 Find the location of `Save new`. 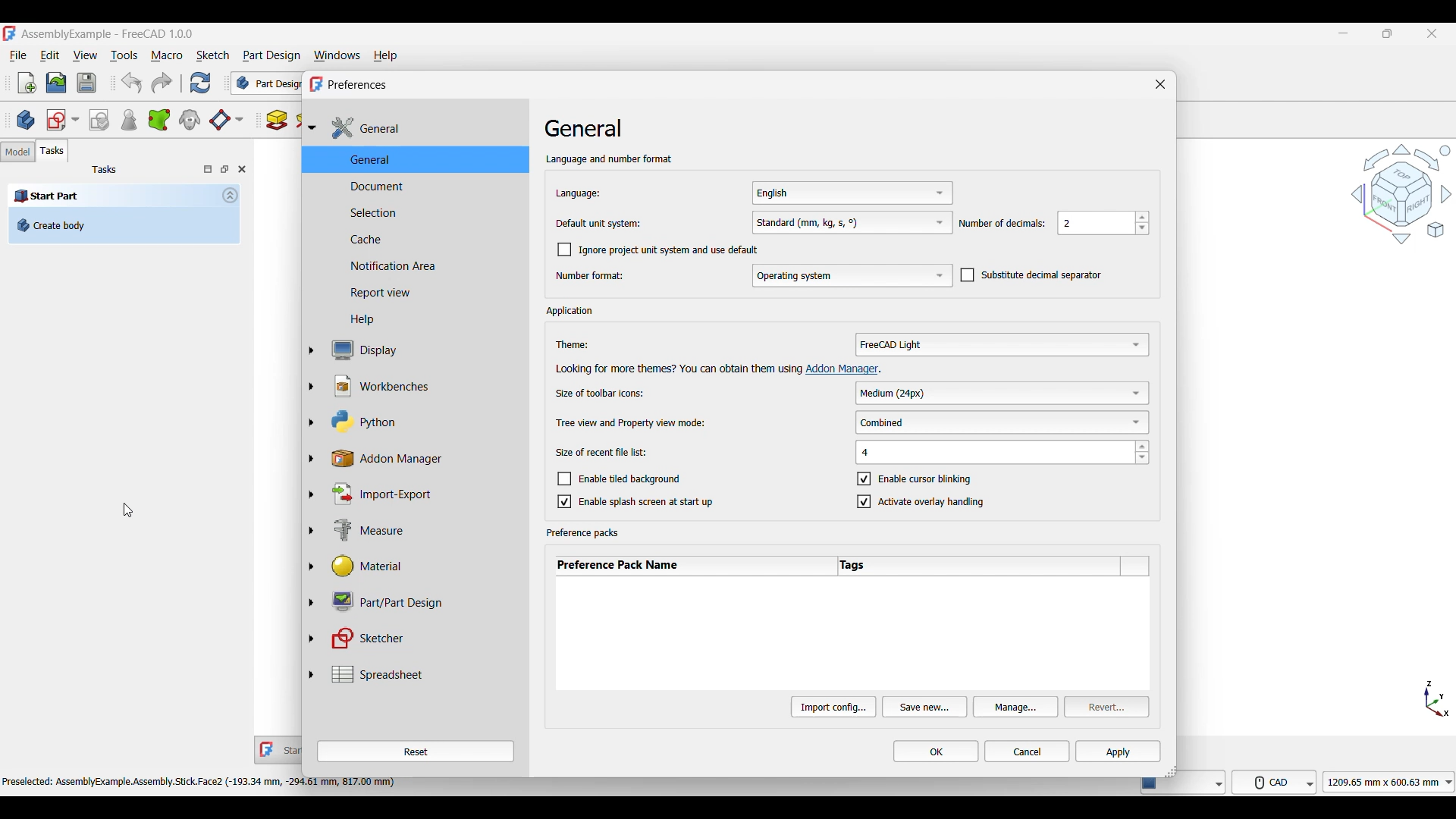

Save new is located at coordinates (925, 707).